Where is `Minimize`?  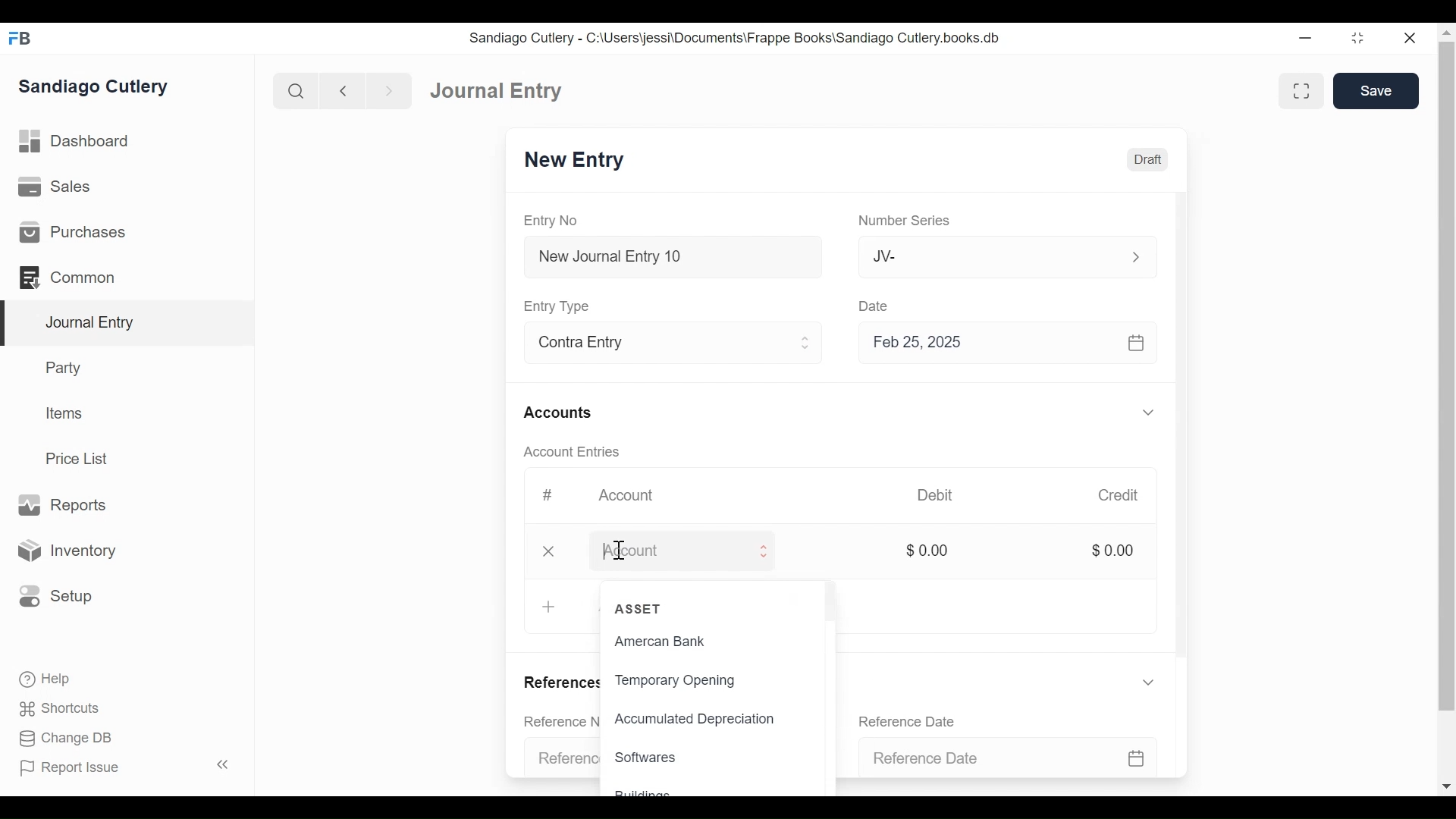 Minimize is located at coordinates (1306, 39).